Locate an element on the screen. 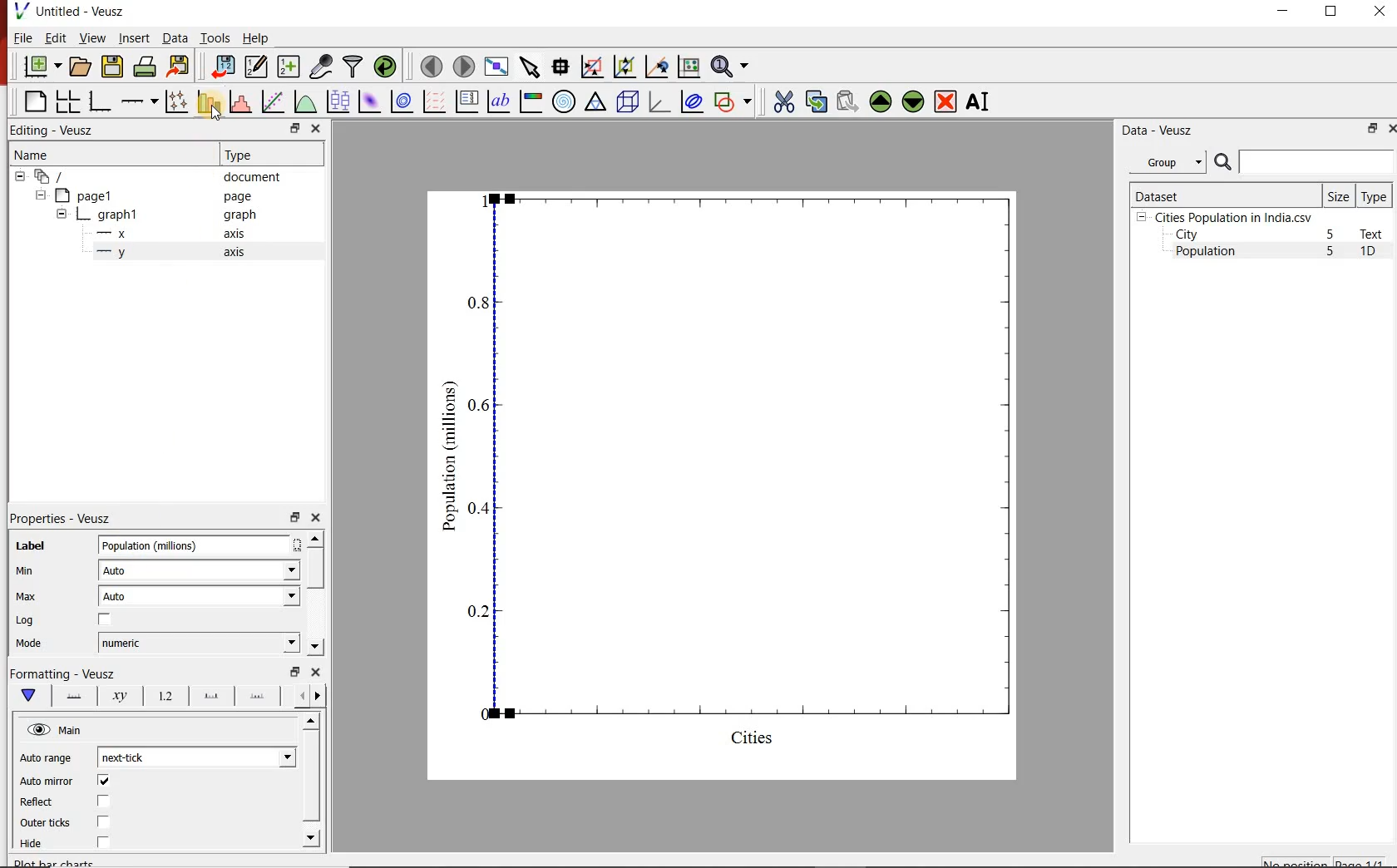  minor ticks is located at coordinates (258, 697).